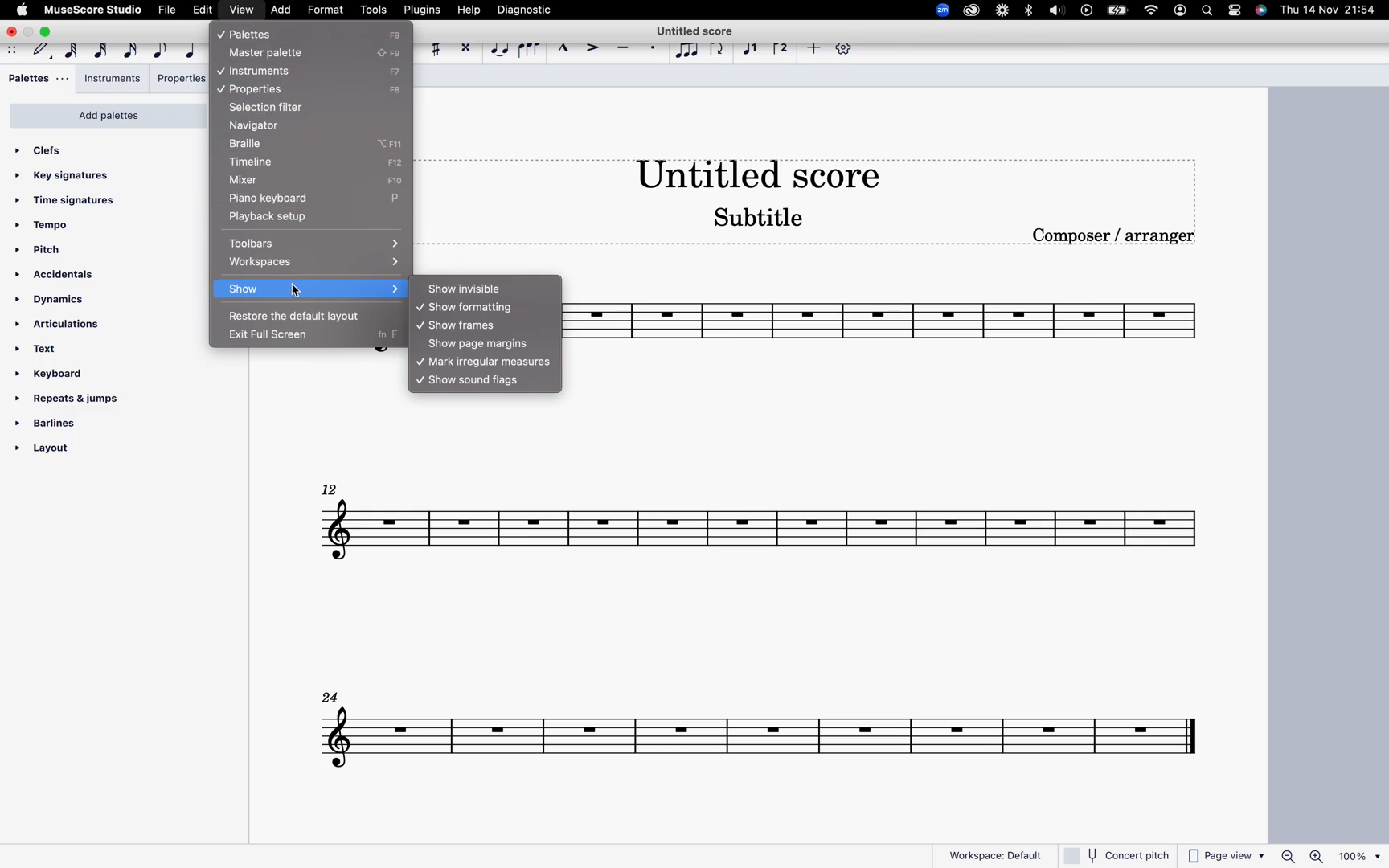 The width and height of the screenshot is (1389, 868). Describe the element at coordinates (99, 51) in the screenshot. I see `32nd note` at that location.